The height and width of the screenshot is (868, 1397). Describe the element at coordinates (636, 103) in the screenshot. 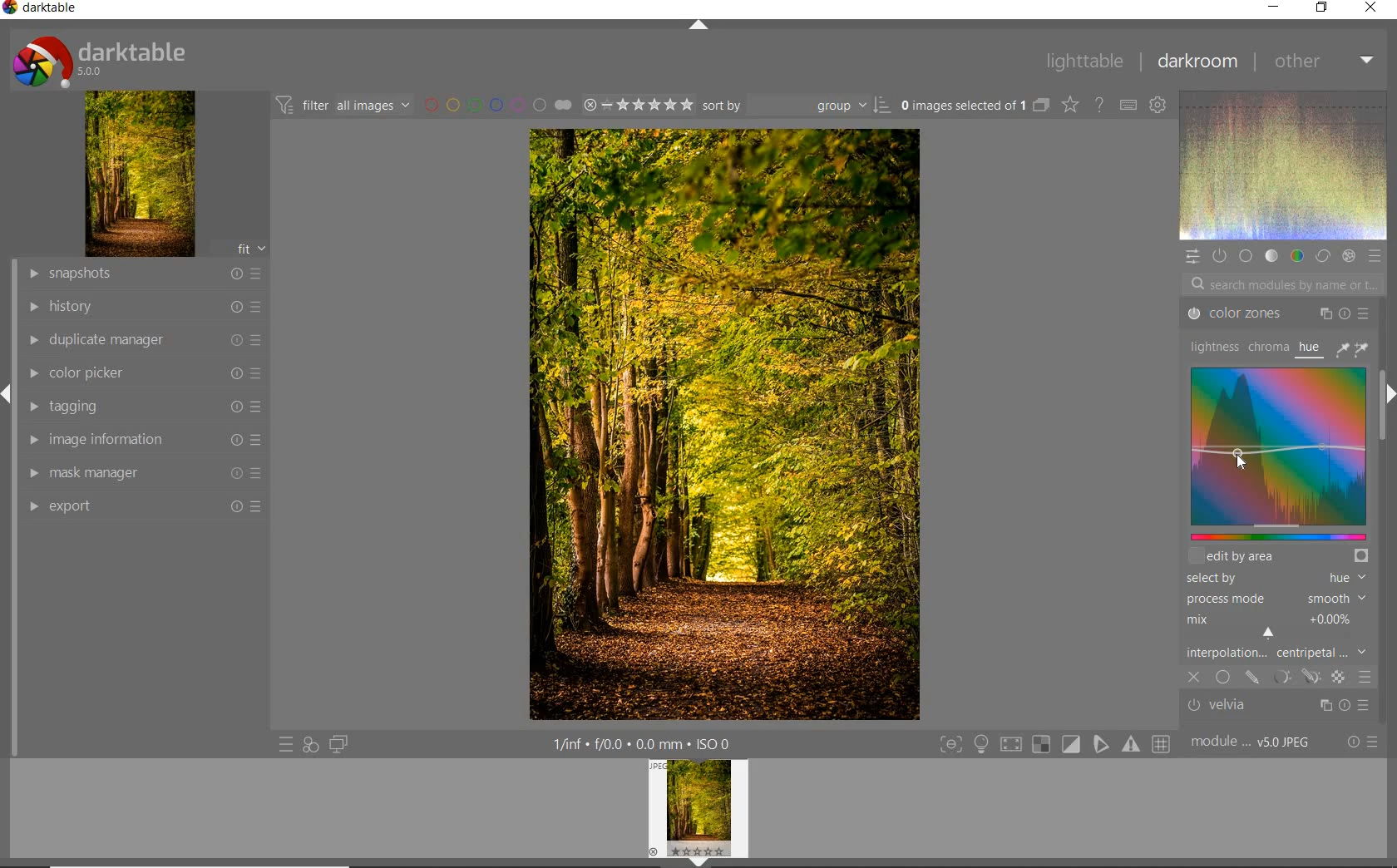

I see `SELECTED IMAGE RANGE RATING` at that location.